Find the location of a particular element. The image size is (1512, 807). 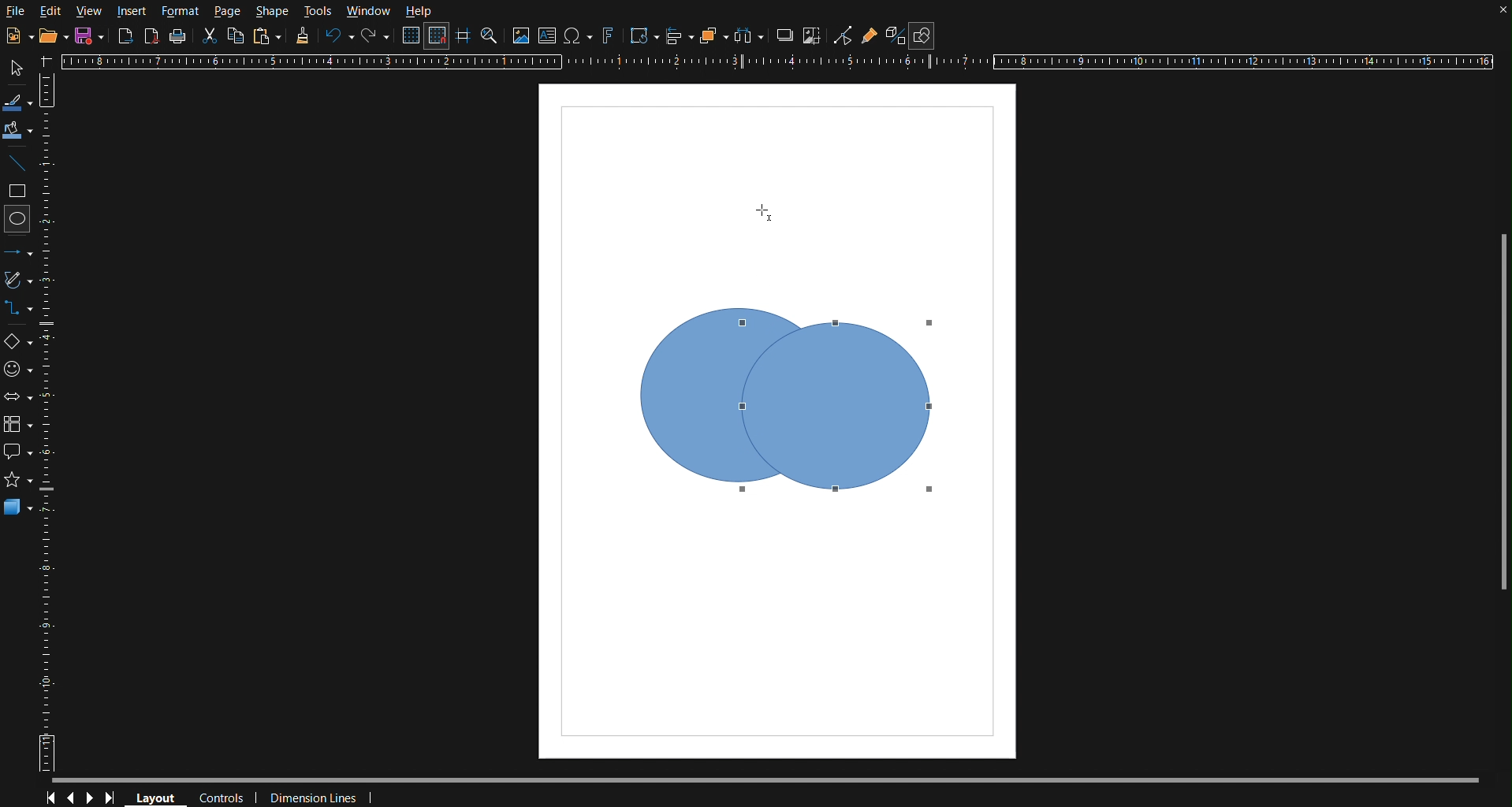

Line Color is located at coordinates (20, 101).